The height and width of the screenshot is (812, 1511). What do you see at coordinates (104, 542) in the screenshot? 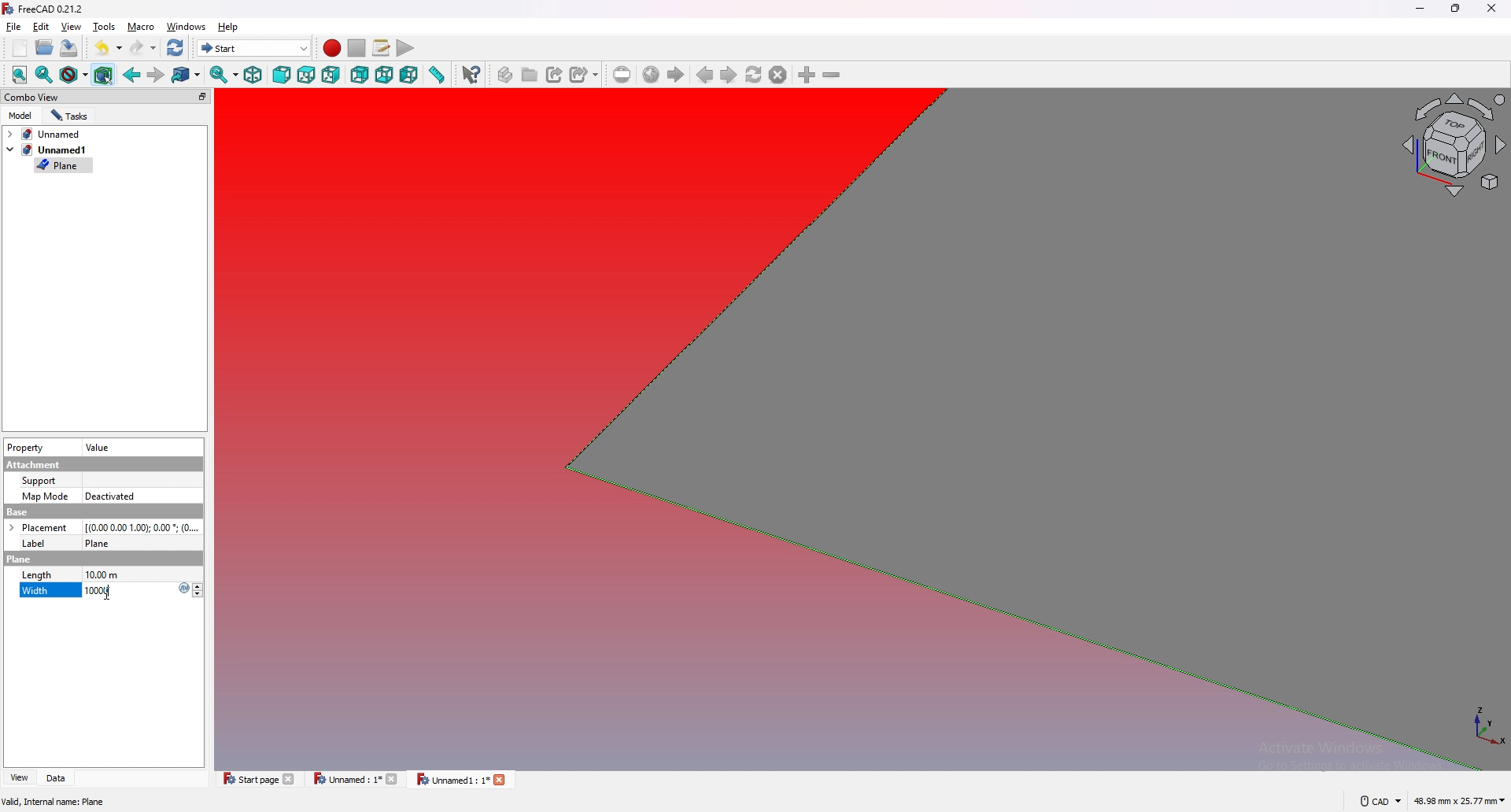
I see `plane` at bounding box center [104, 542].